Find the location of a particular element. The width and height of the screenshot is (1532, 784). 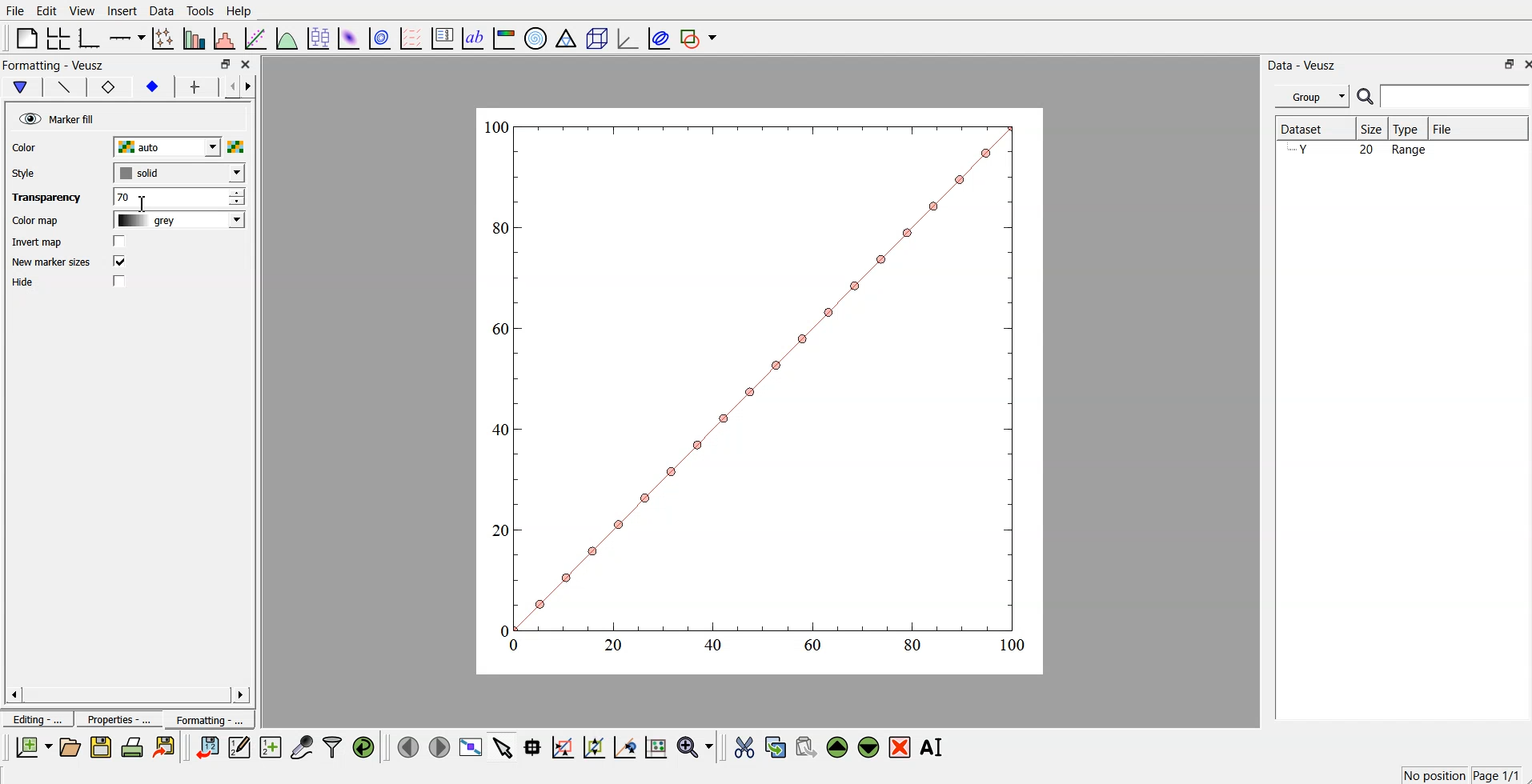

Properties is located at coordinates (113, 719).